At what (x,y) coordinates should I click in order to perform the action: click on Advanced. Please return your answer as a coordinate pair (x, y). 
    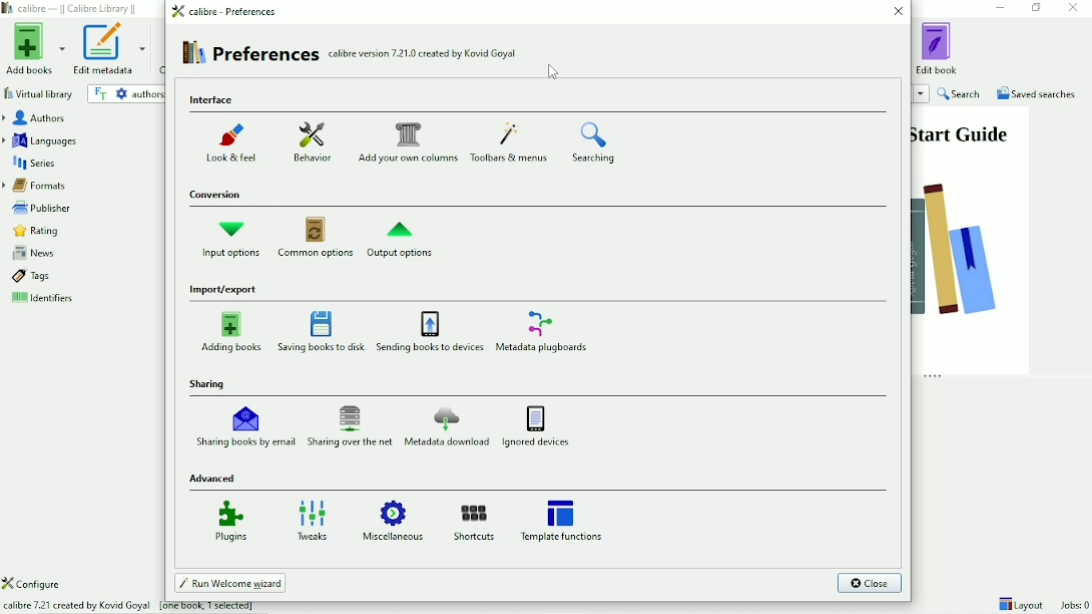
    Looking at the image, I should click on (215, 478).